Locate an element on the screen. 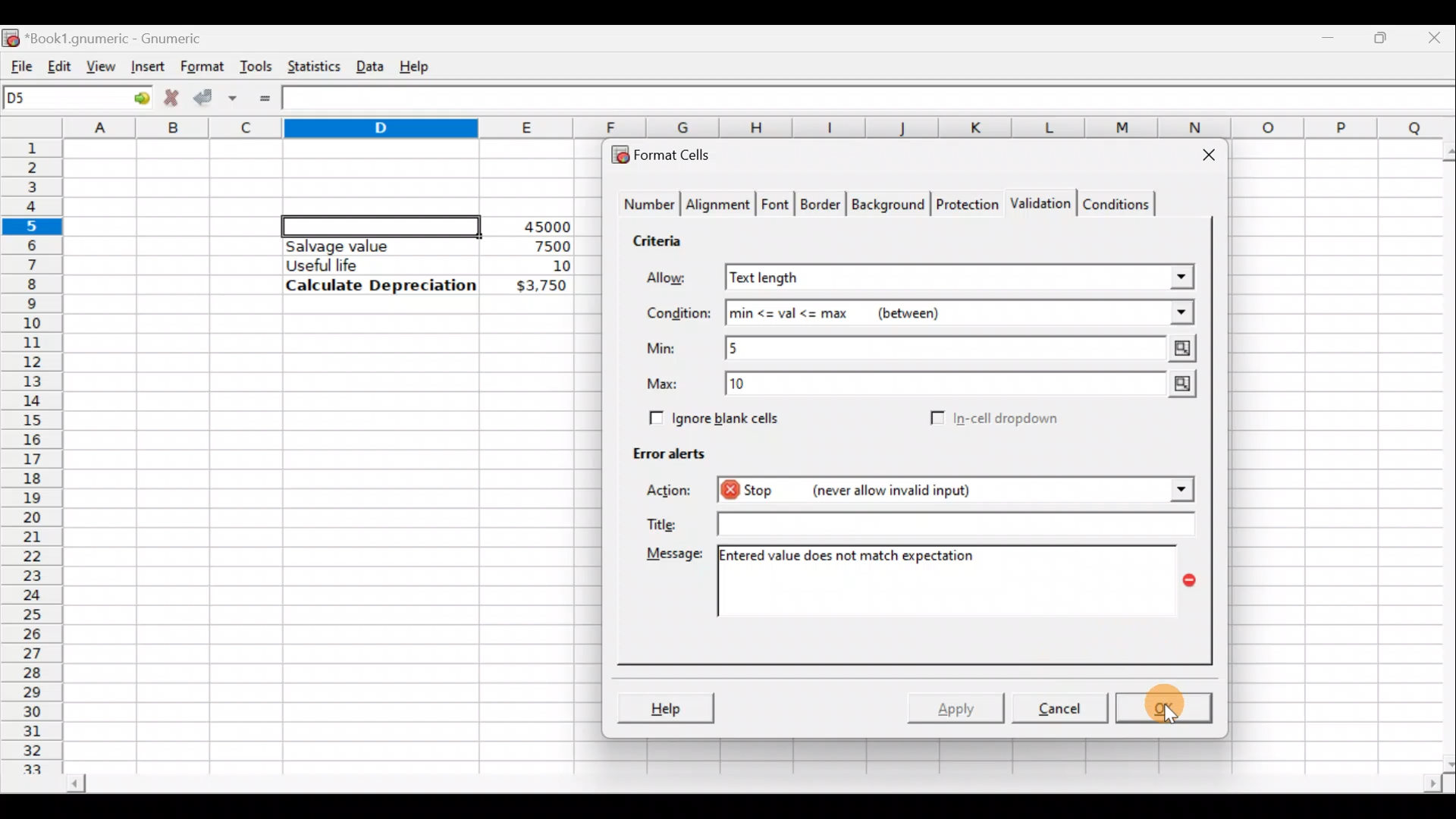 The width and height of the screenshot is (1456, 819). Close is located at coordinates (1437, 36).